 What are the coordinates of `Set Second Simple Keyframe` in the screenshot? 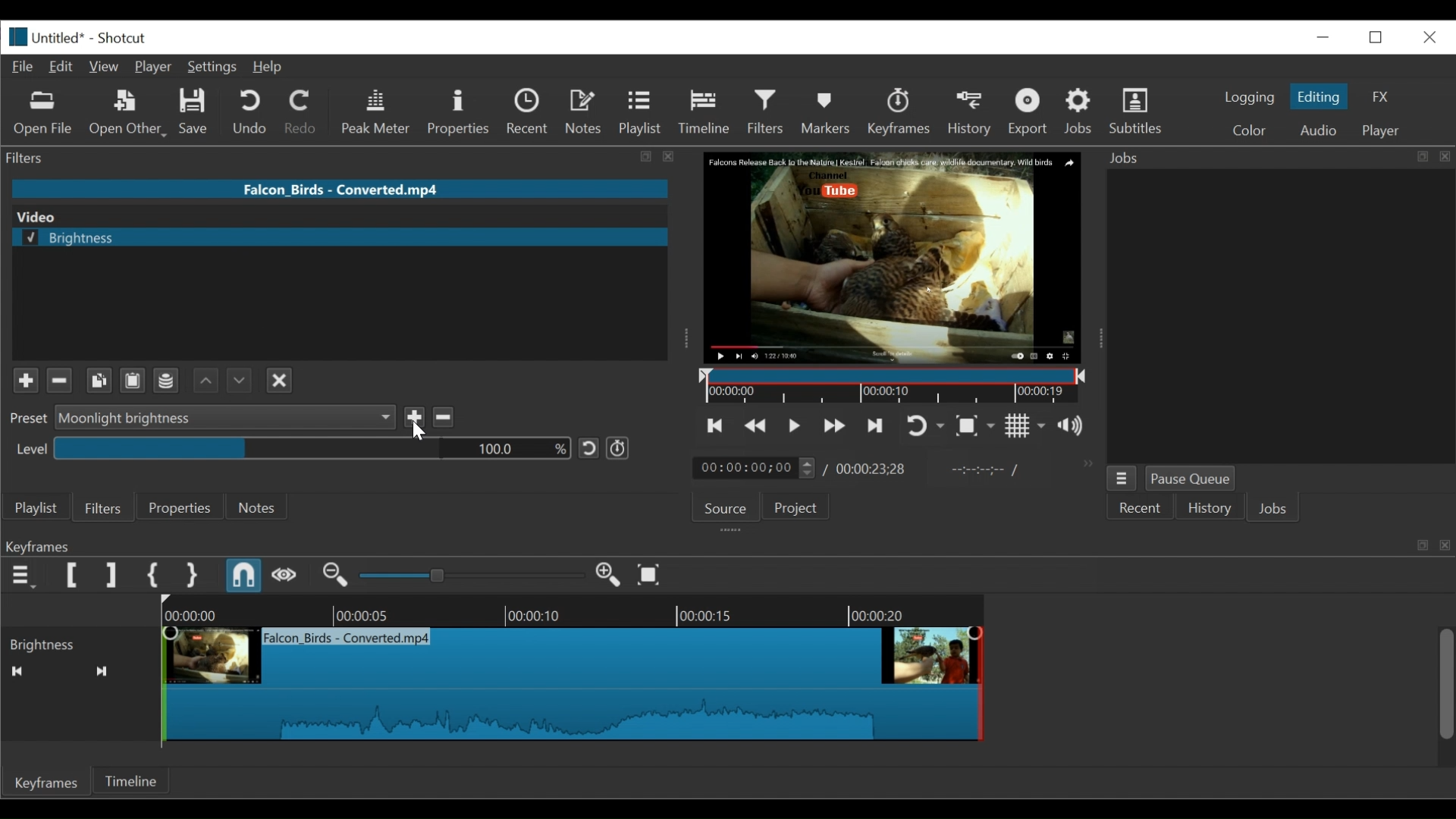 It's located at (190, 575).